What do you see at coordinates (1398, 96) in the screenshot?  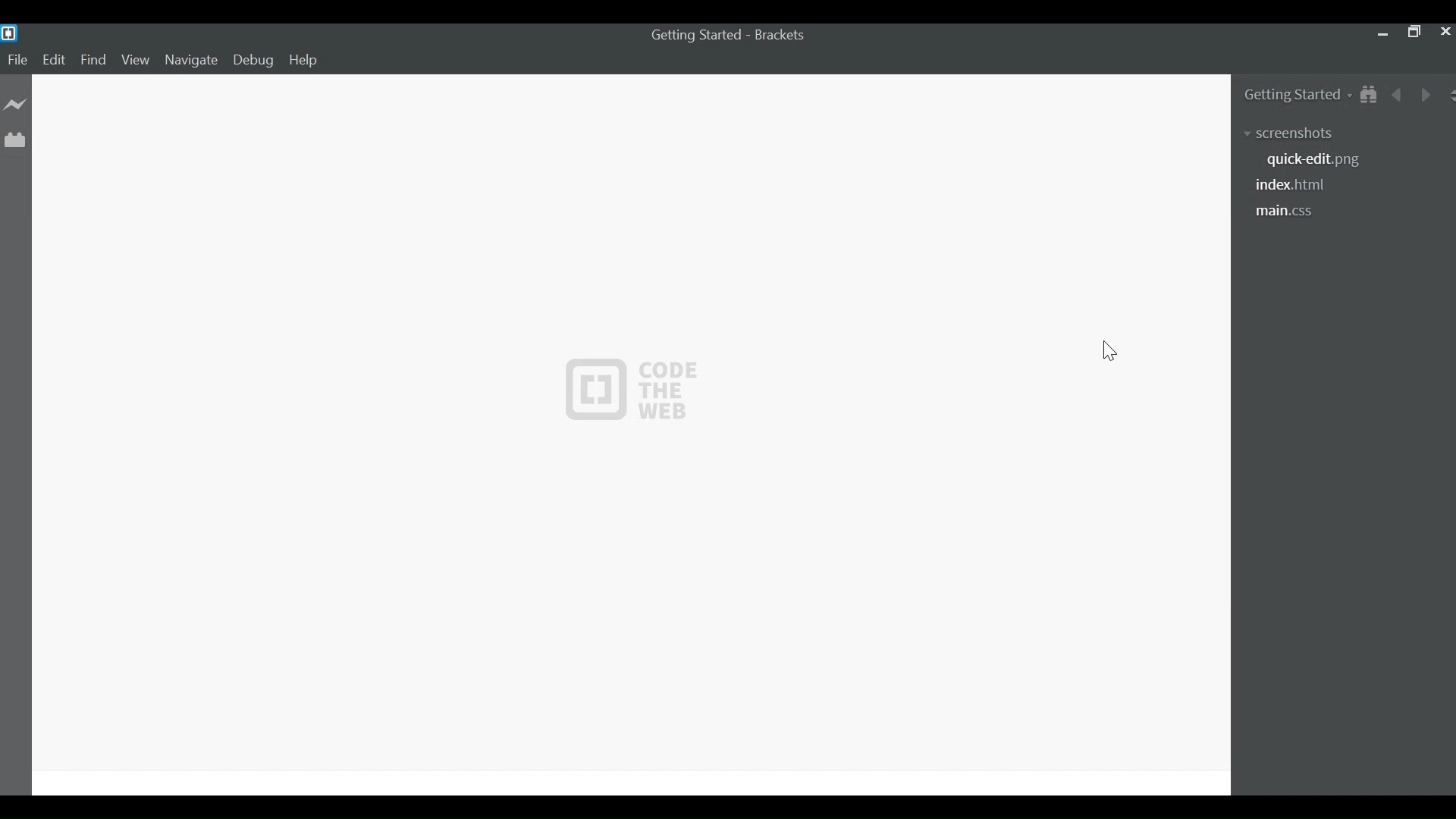 I see `Navigate Back` at bounding box center [1398, 96].